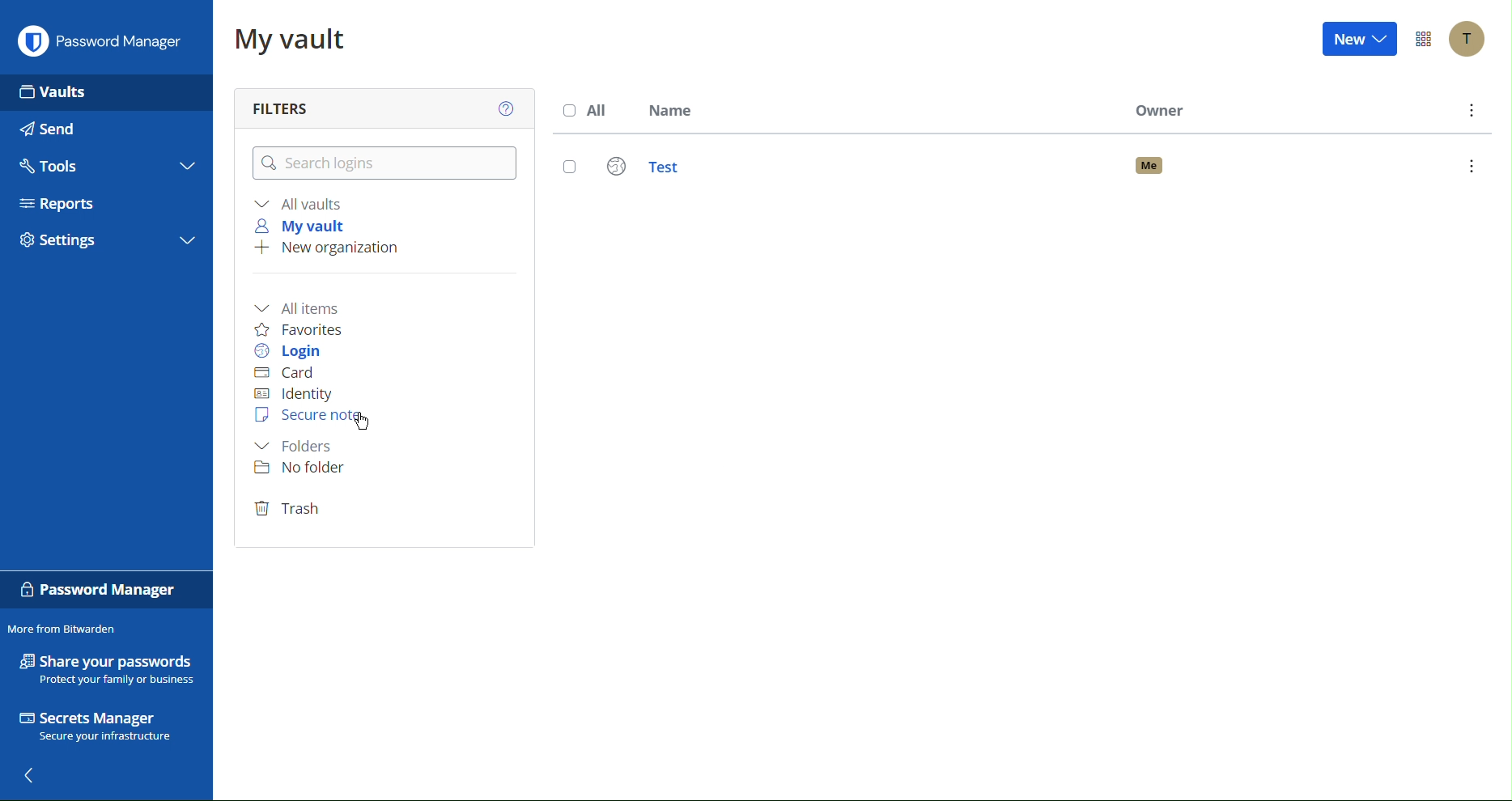  Describe the element at coordinates (55, 165) in the screenshot. I see `Tools` at that location.